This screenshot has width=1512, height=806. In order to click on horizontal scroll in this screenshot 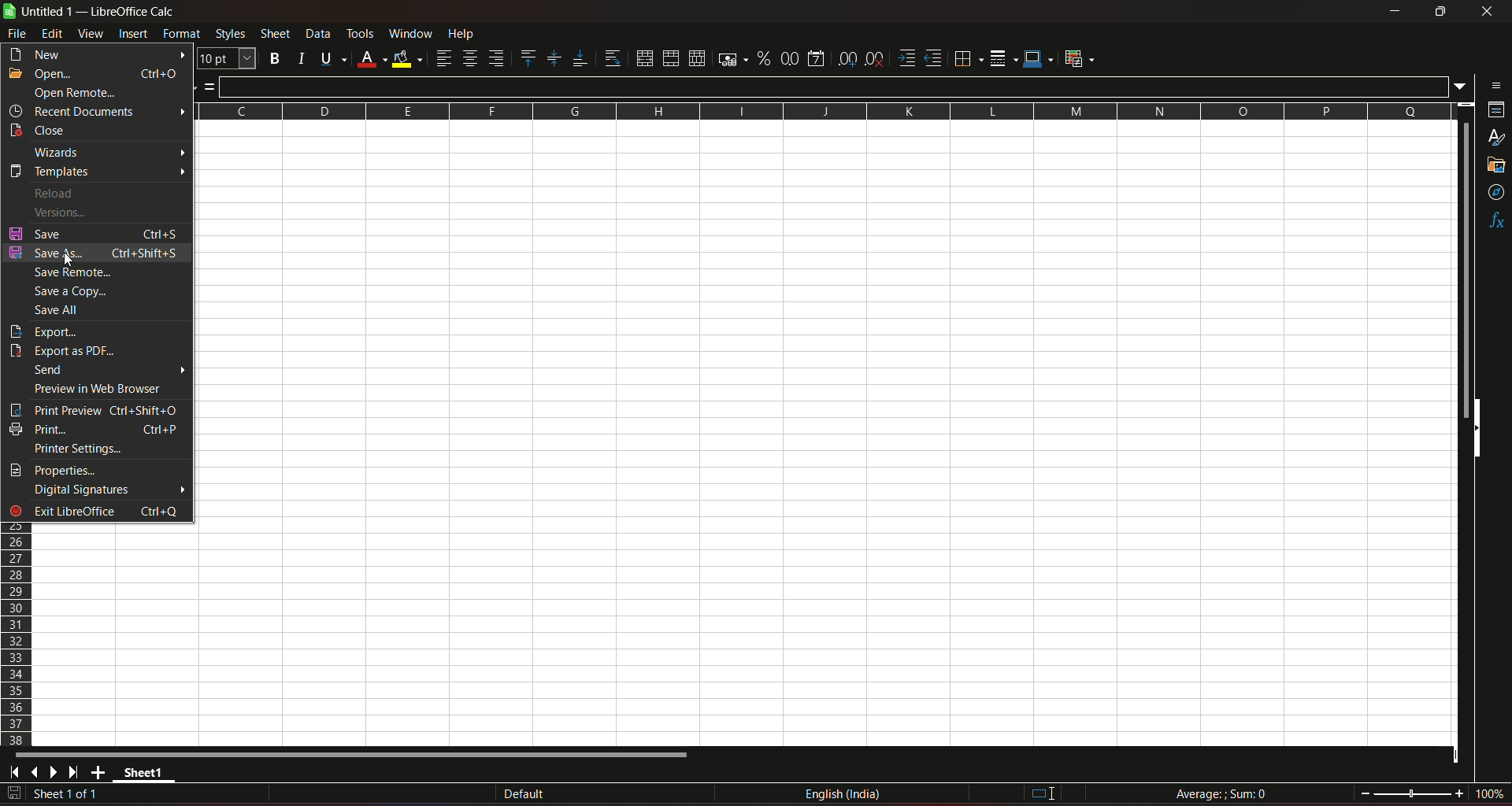, I will do `click(356, 755)`.